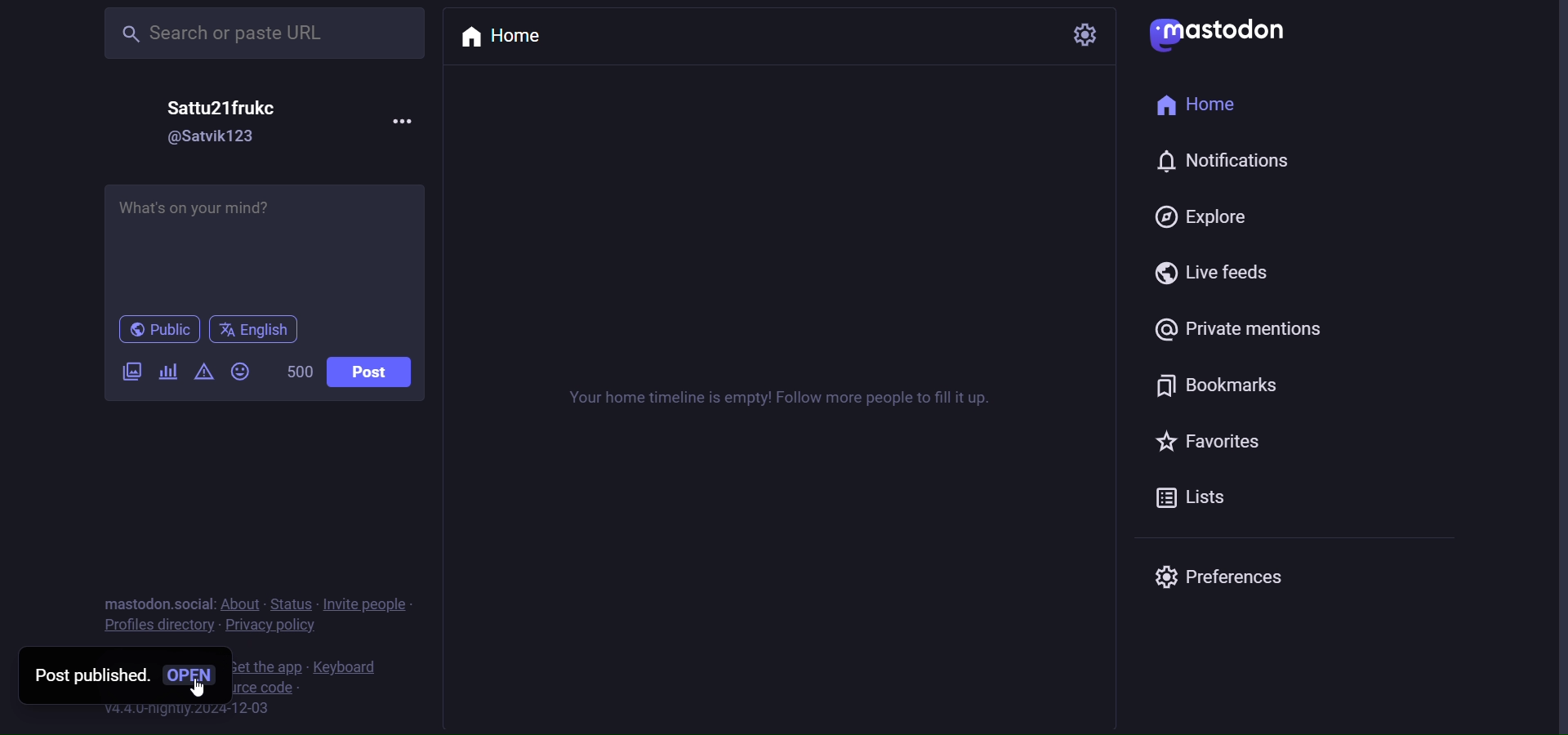 This screenshot has height=735, width=1568. What do you see at coordinates (269, 667) in the screenshot?
I see `get the app` at bounding box center [269, 667].